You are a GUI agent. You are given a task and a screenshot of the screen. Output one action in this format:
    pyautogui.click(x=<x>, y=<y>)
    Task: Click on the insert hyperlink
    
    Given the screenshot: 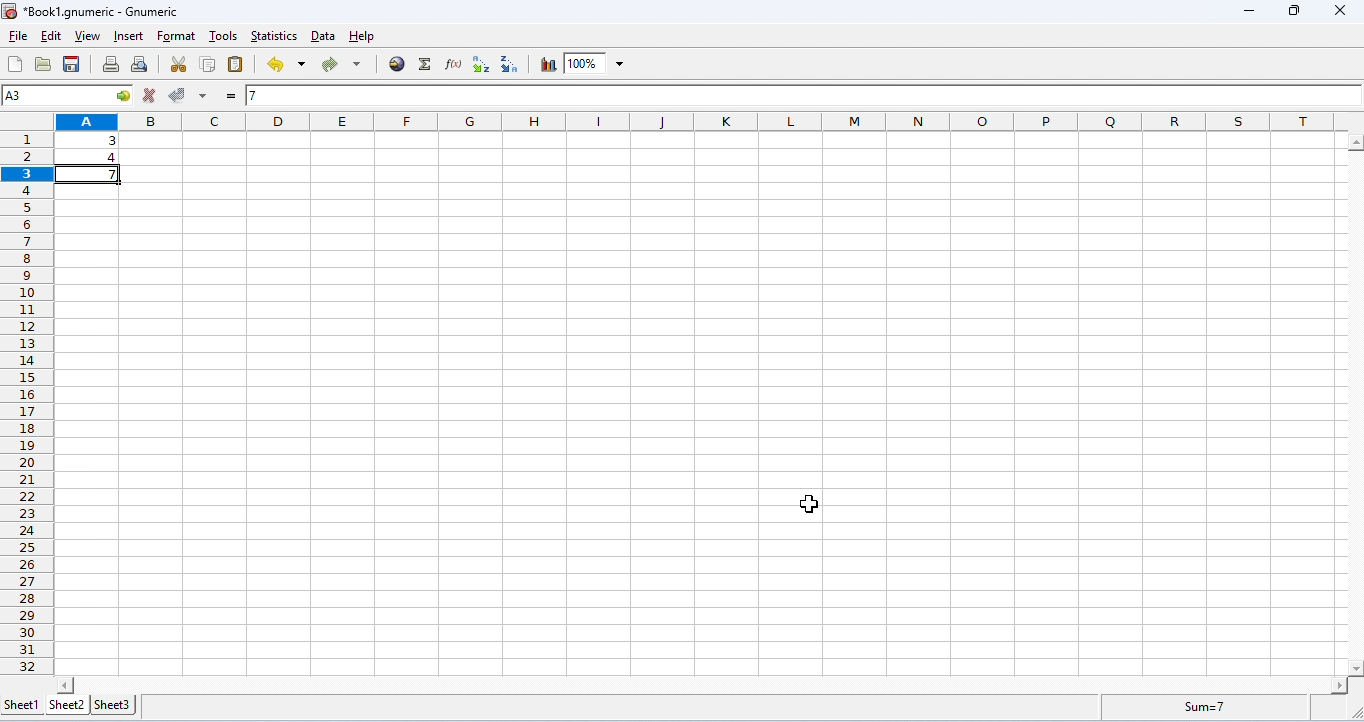 What is the action you would take?
    pyautogui.click(x=396, y=65)
    